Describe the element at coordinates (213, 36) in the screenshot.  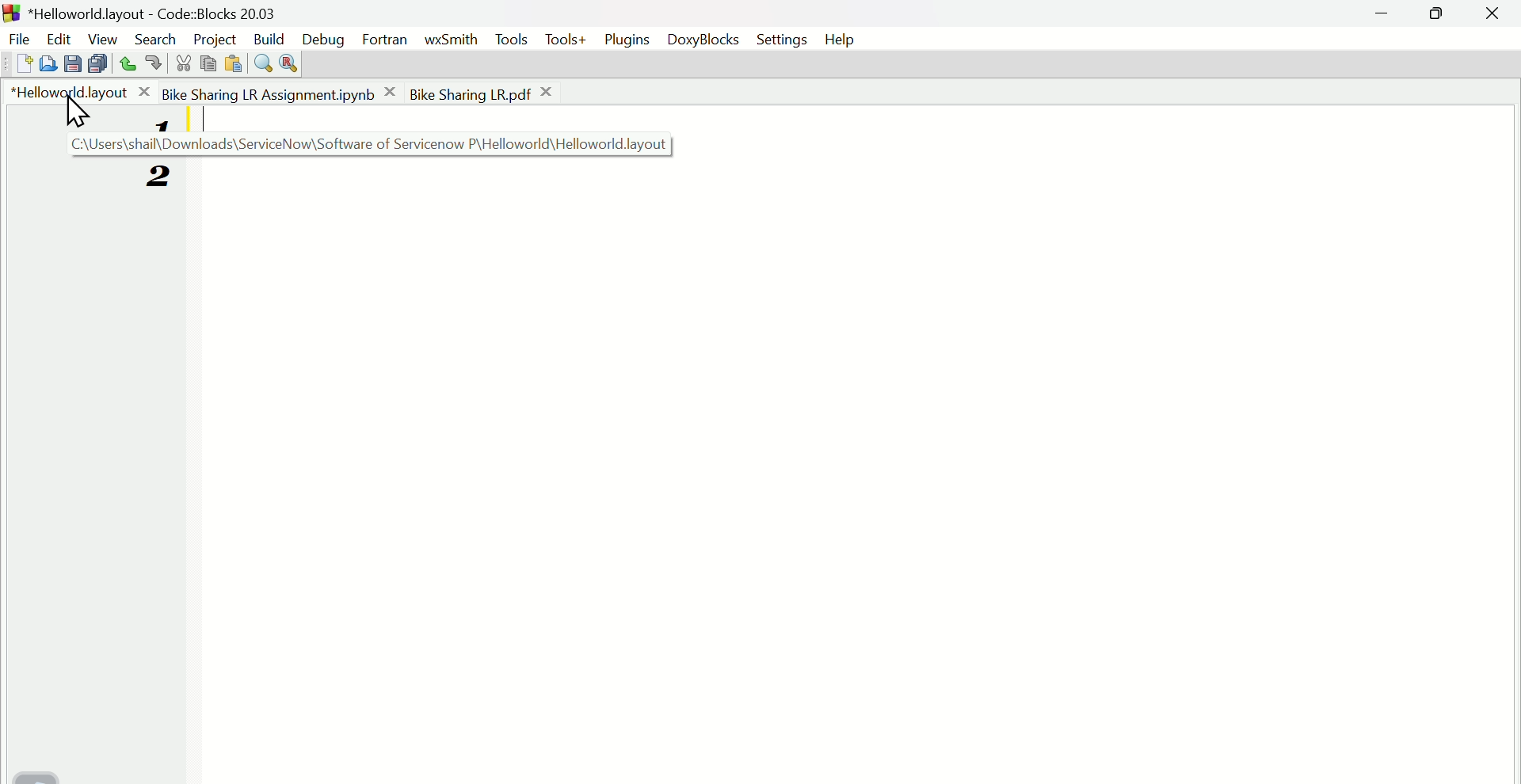
I see `Project` at that location.